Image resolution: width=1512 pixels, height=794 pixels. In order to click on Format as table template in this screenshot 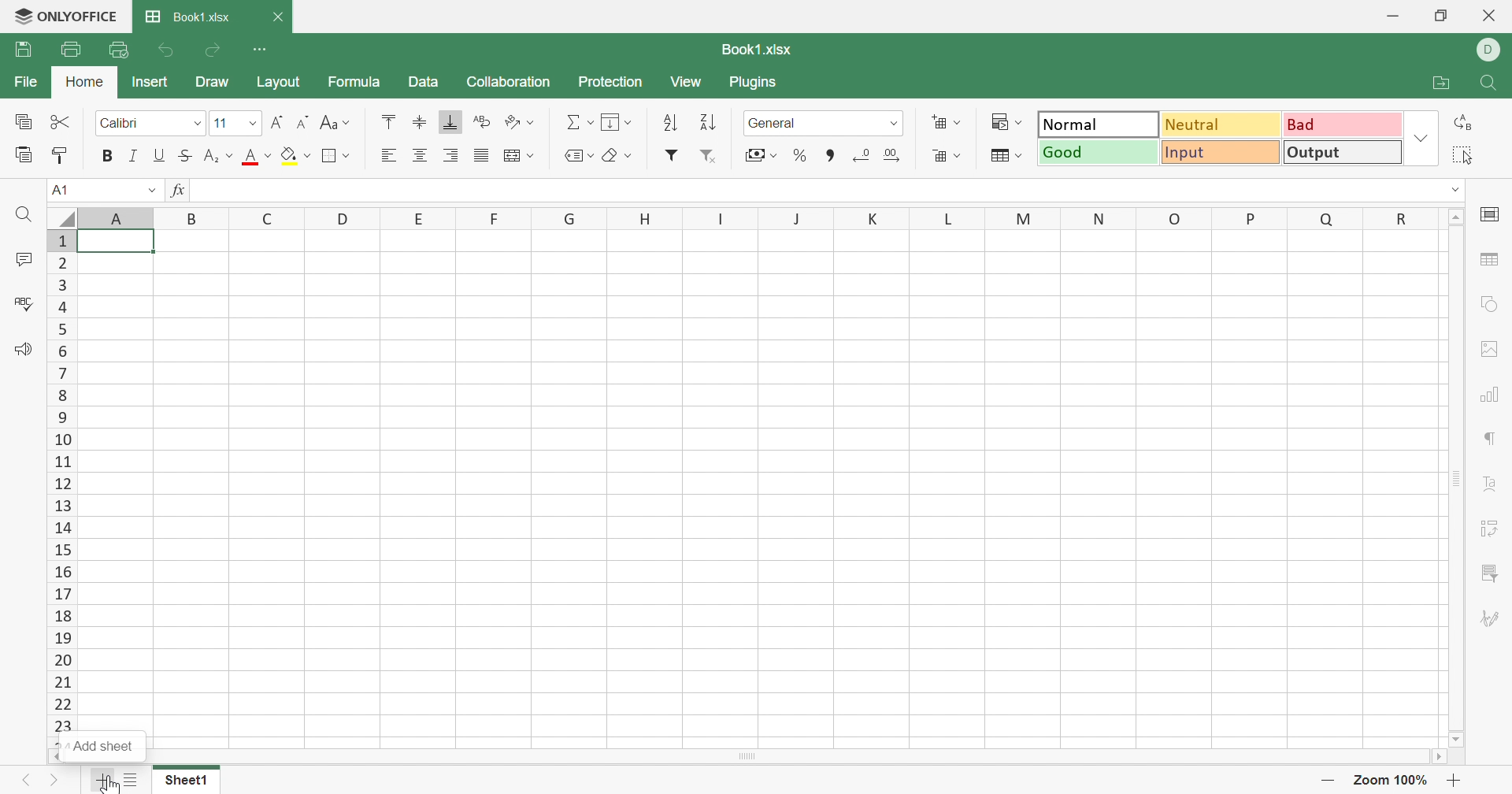, I will do `click(1006, 157)`.